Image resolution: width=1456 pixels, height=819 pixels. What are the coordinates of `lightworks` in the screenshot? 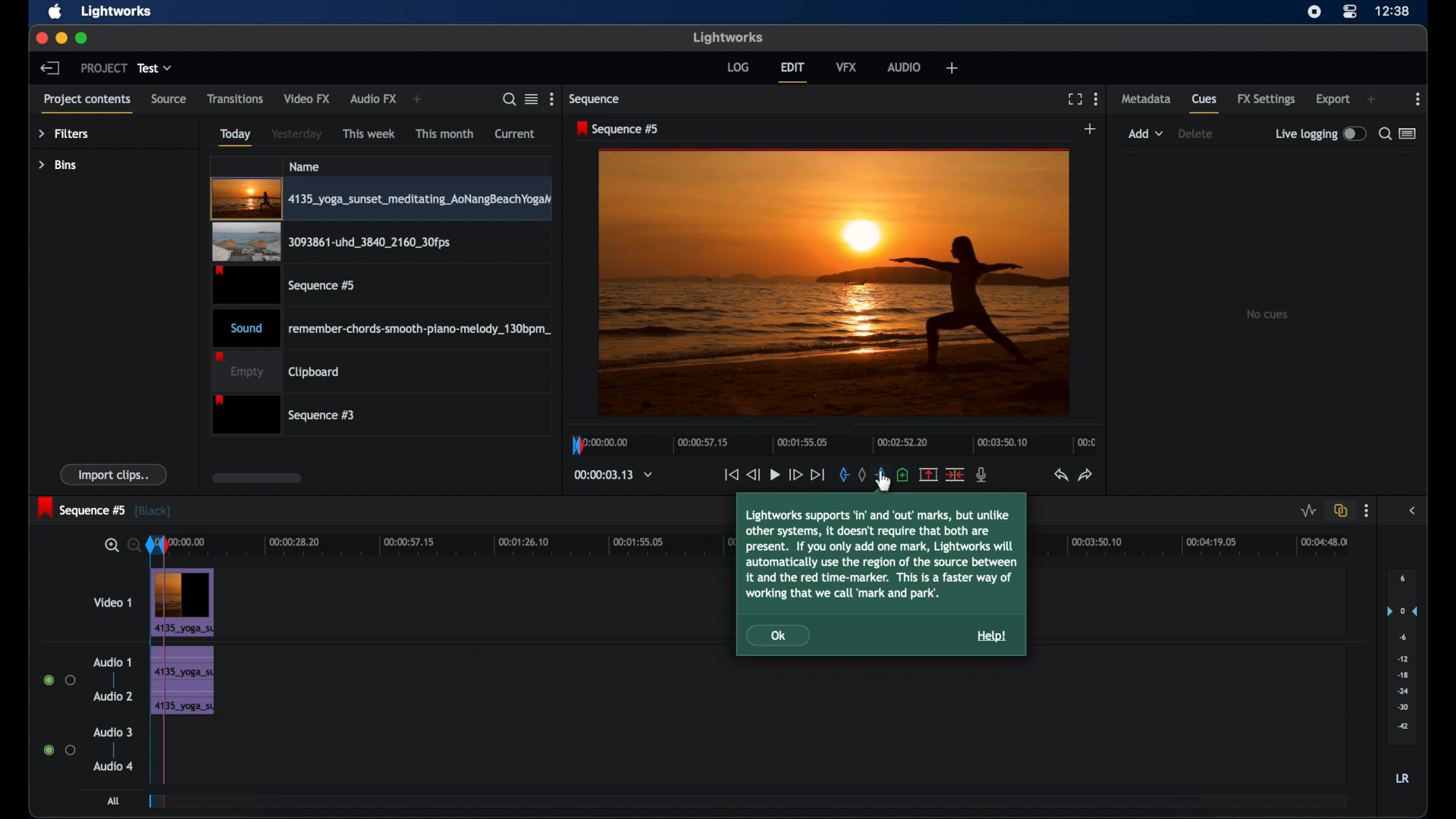 It's located at (118, 11).